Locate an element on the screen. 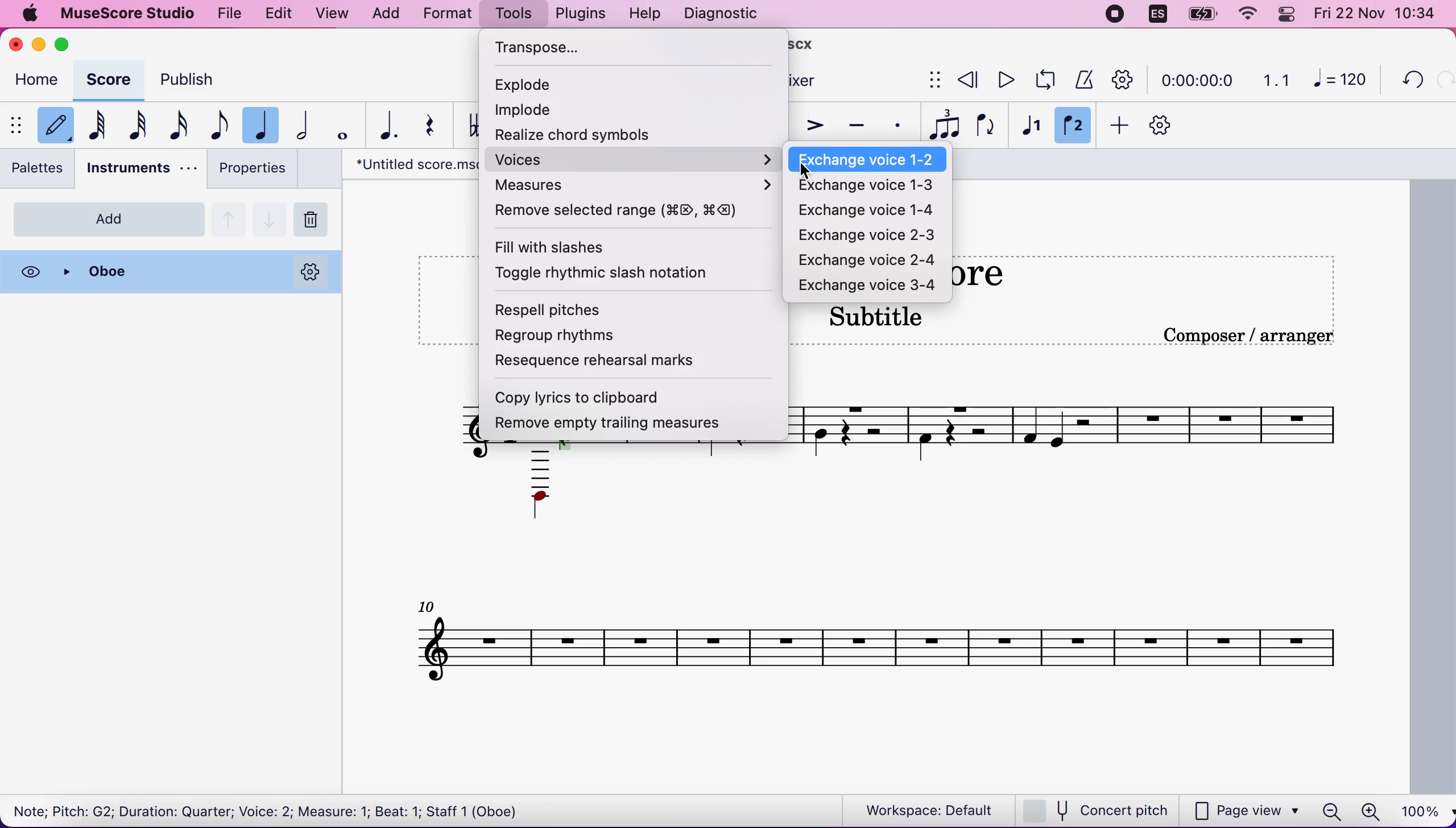 Image resolution: width=1456 pixels, height=828 pixels. 32nd note is located at coordinates (144, 126).